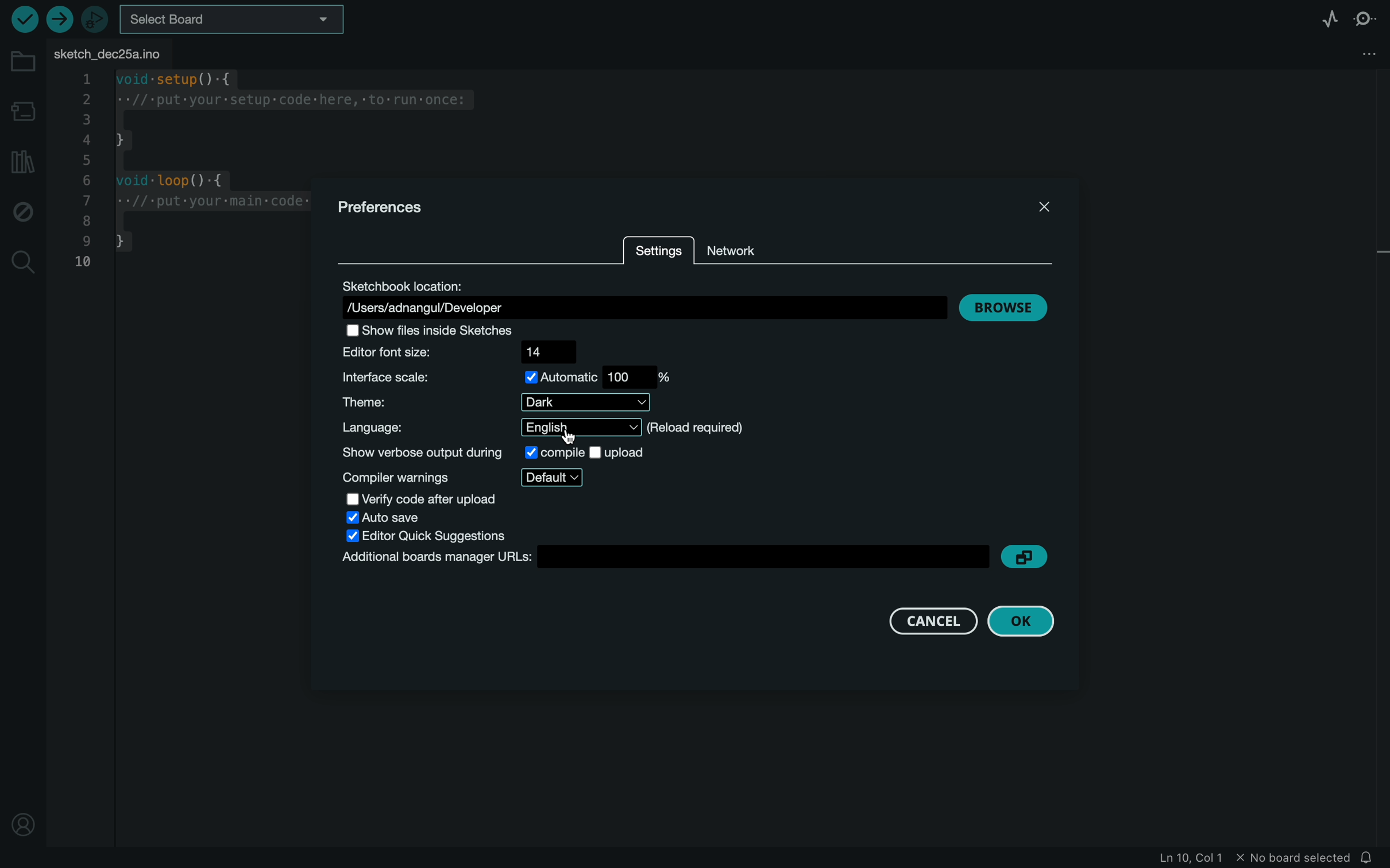 The width and height of the screenshot is (1390, 868). I want to click on close, so click(1045, 206).